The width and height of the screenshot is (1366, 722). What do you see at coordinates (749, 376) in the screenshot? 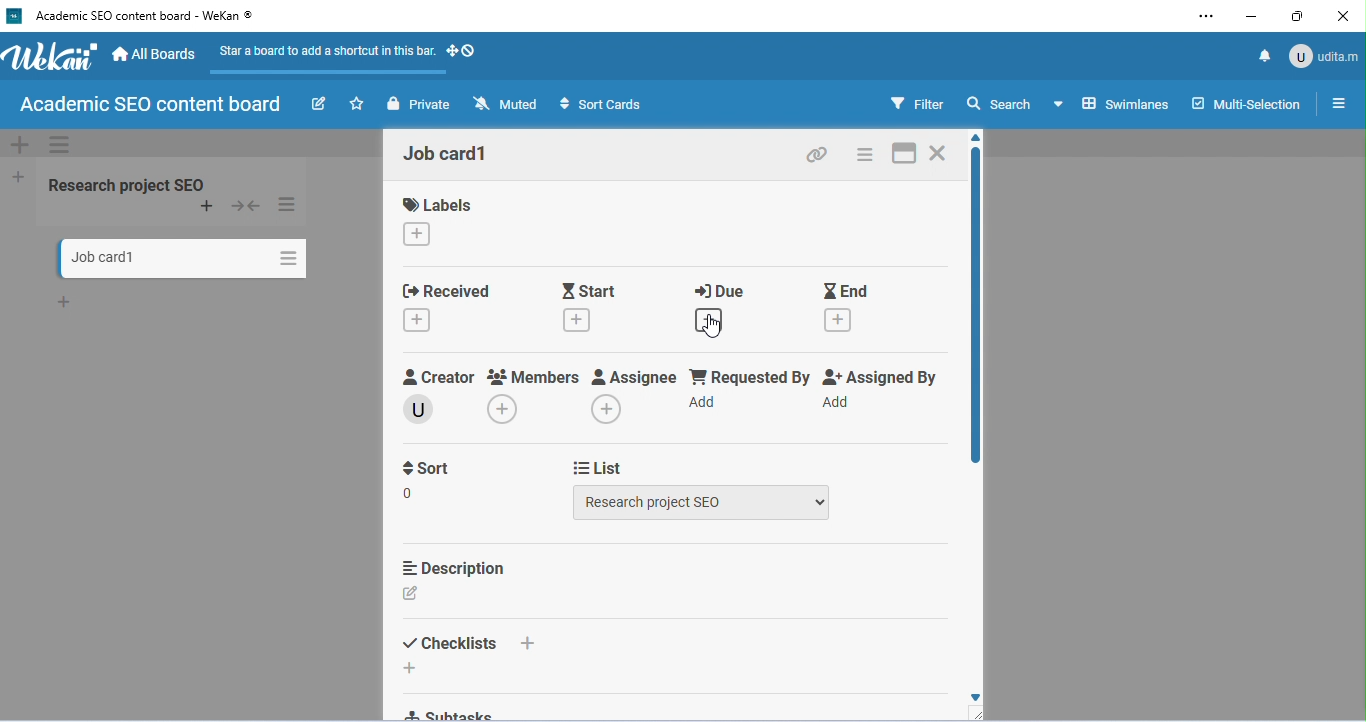
I see `requested by` at bounding box center [749, 376].